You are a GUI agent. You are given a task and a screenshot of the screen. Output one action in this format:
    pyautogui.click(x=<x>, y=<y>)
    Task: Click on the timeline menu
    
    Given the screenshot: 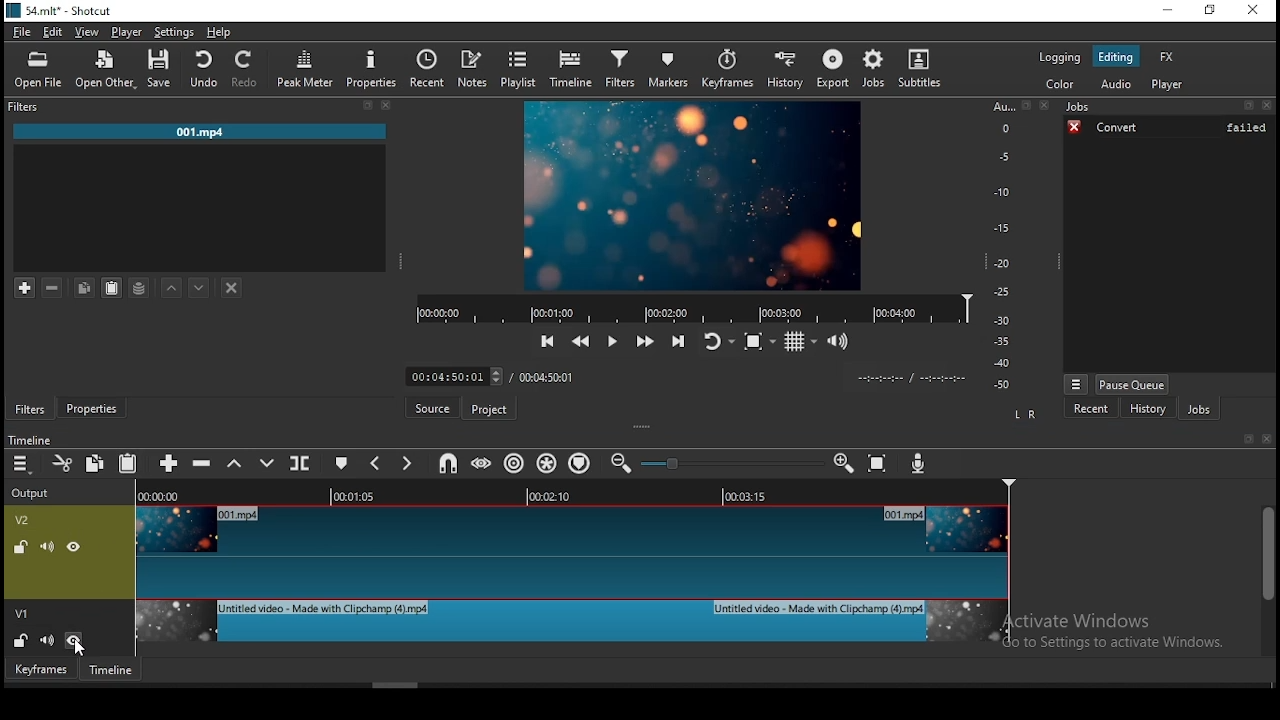 What is the action you would take?
    pyautogui.click(x=23, y=467)
    